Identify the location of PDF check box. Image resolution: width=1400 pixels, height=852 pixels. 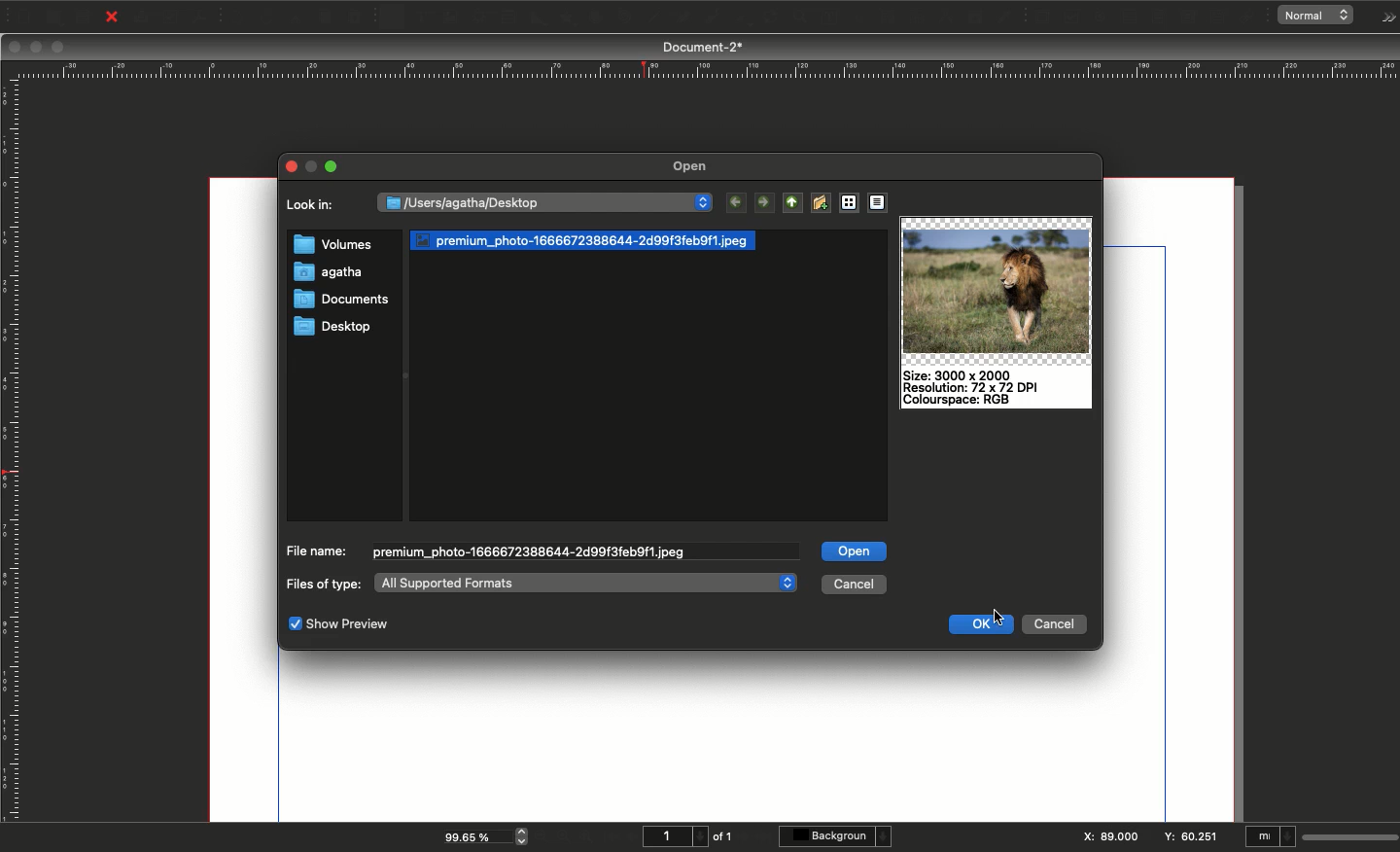
(1071, 18).